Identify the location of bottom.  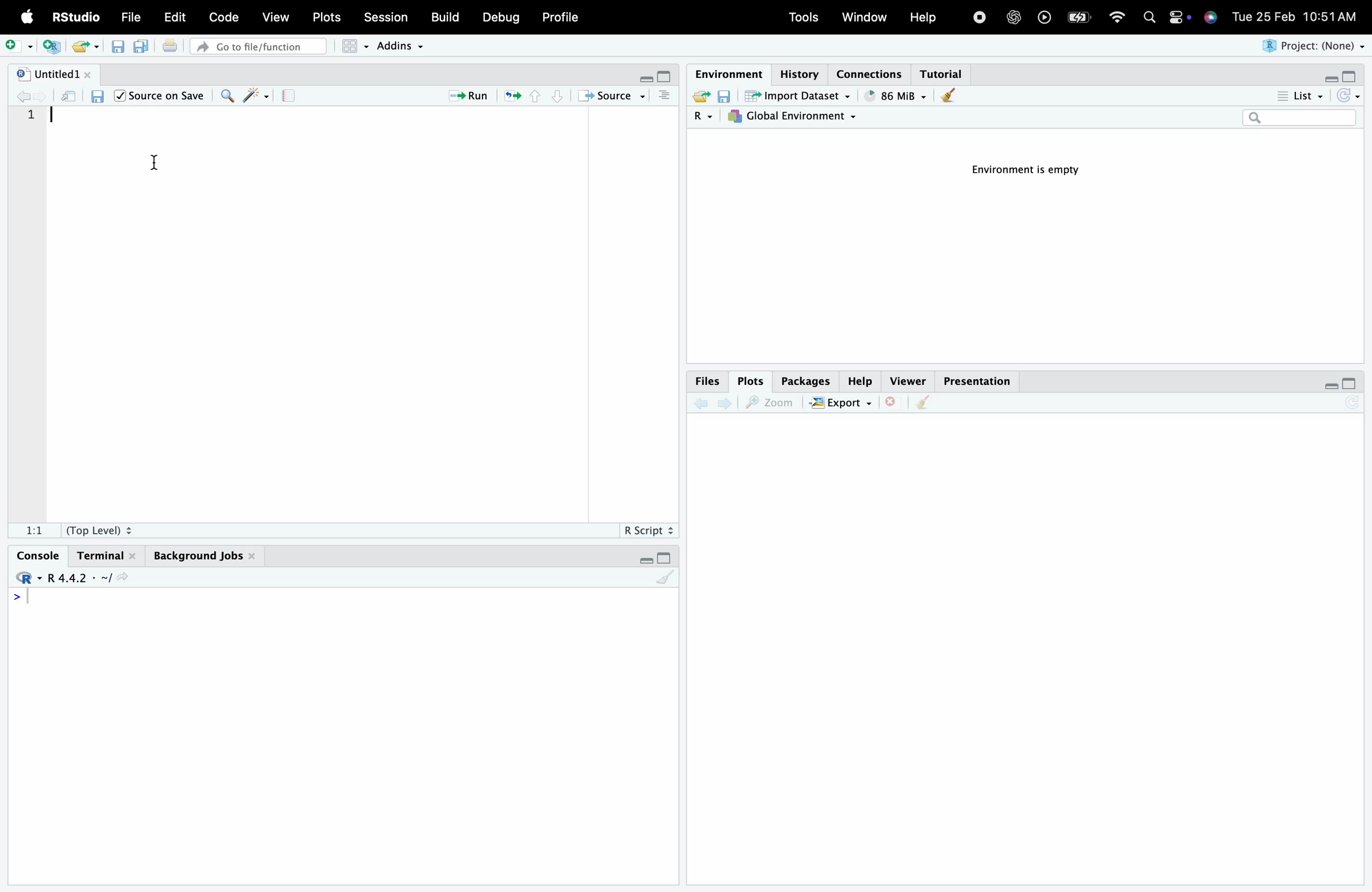
(555, 96).